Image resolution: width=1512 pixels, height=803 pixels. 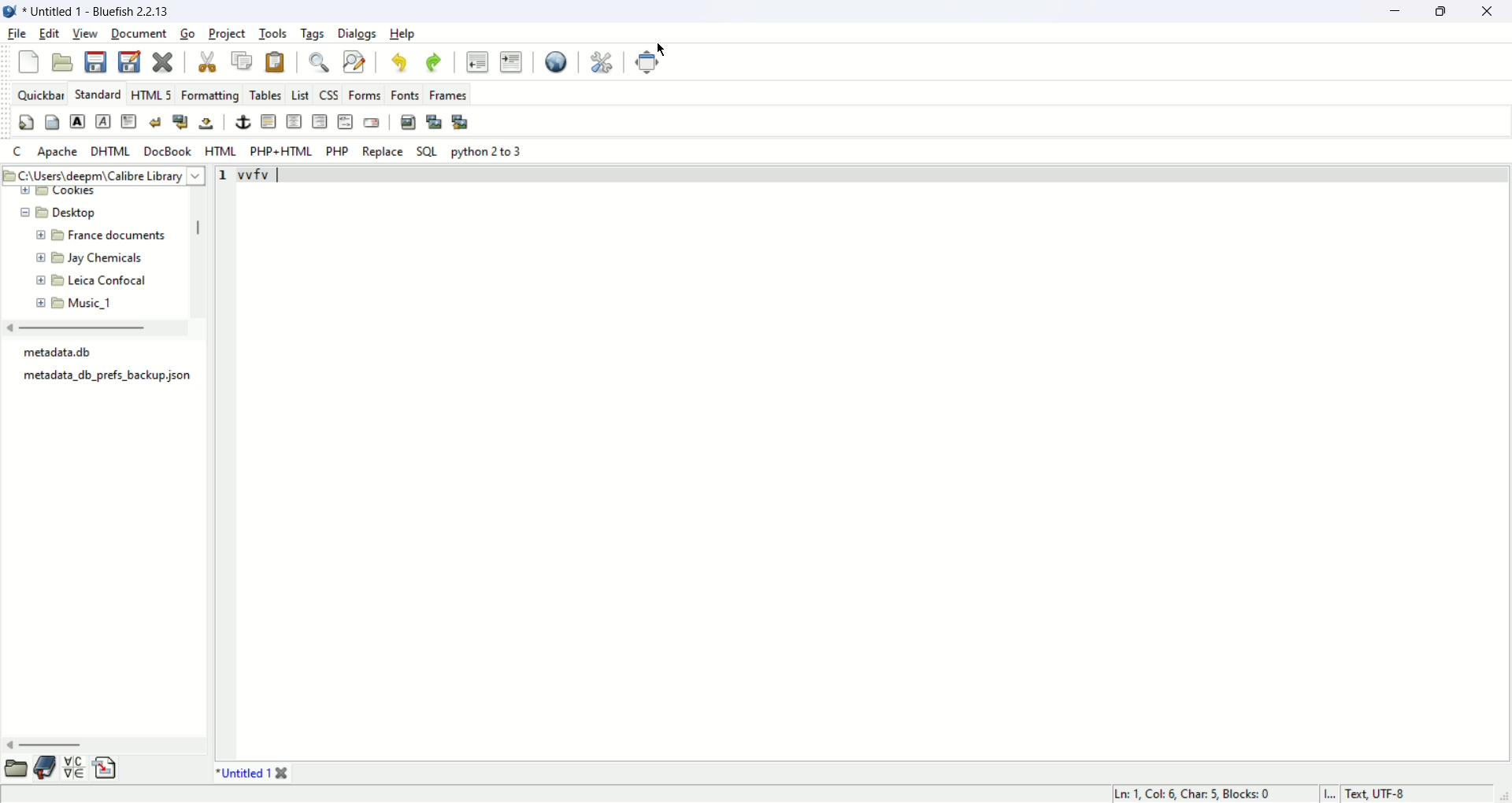 I want to click on apache, so click(x=59, y=153).